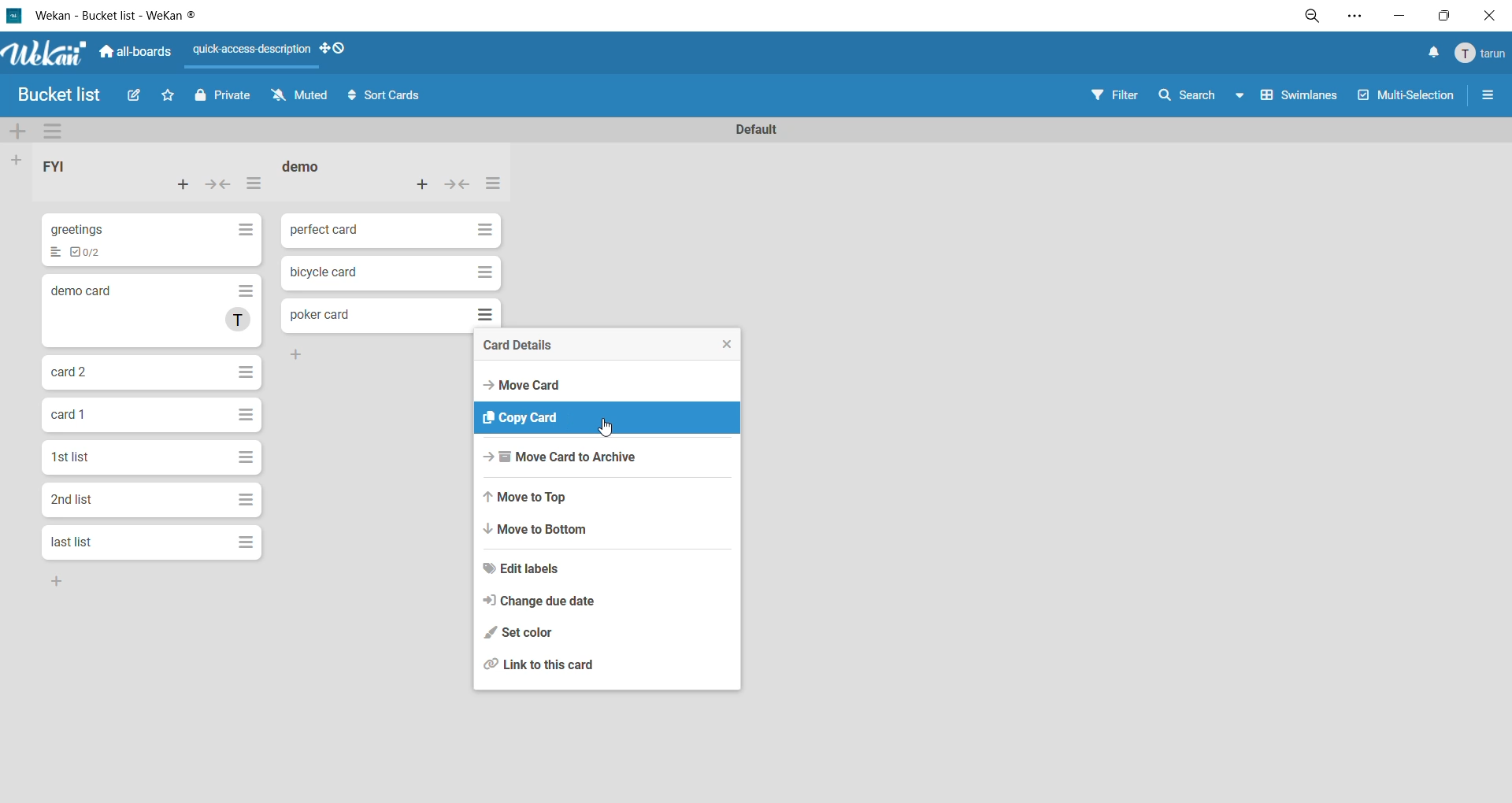 Image resolution: width=1512 pixels, height=803 pixels. What do you see at coordinates (491, 185) in the screenshot?
I see `list actions` at bounding box center [491, 185].